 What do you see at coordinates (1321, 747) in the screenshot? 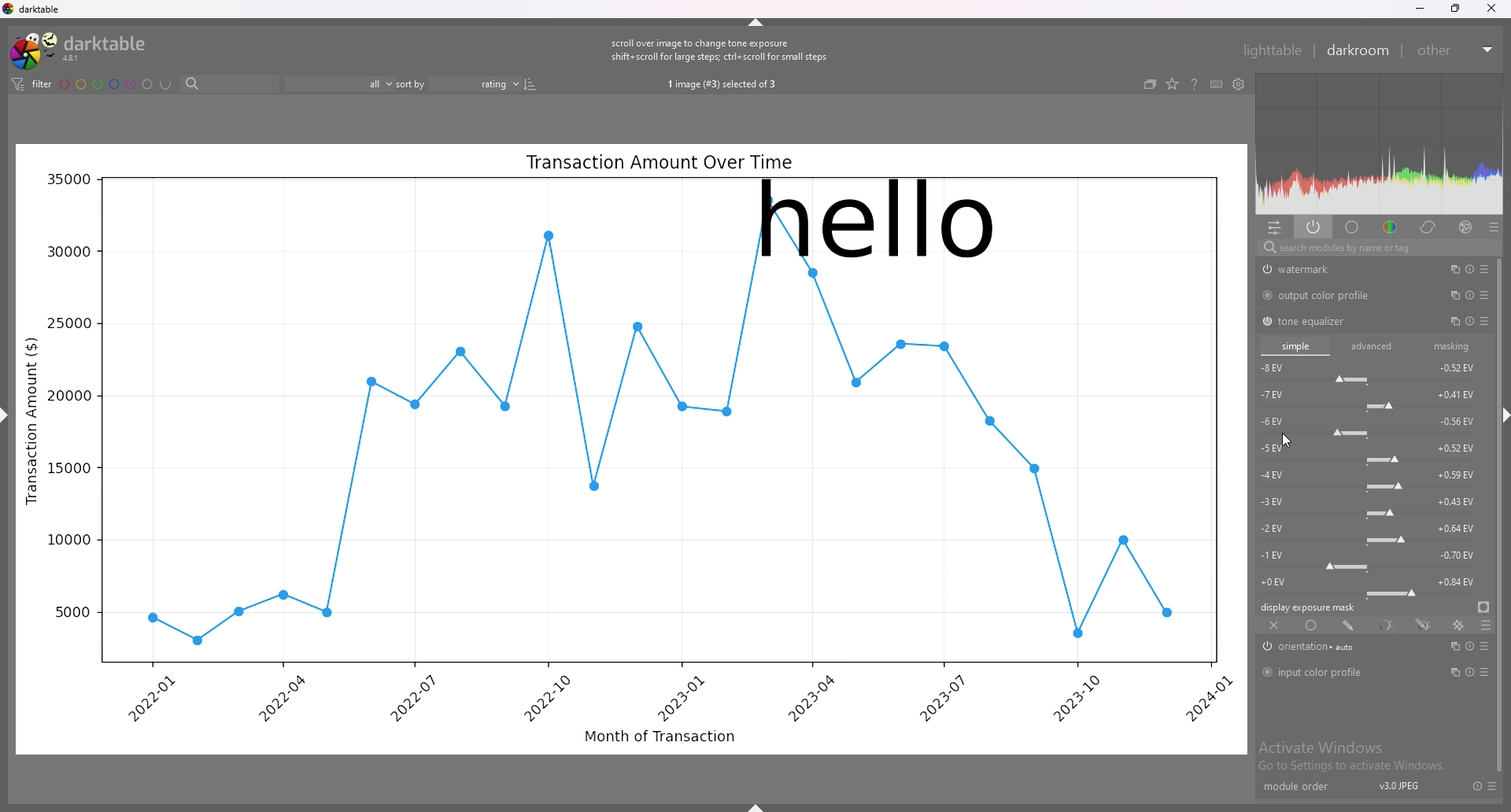
I see `Activate Windows` at bounding box center [1321, 747].